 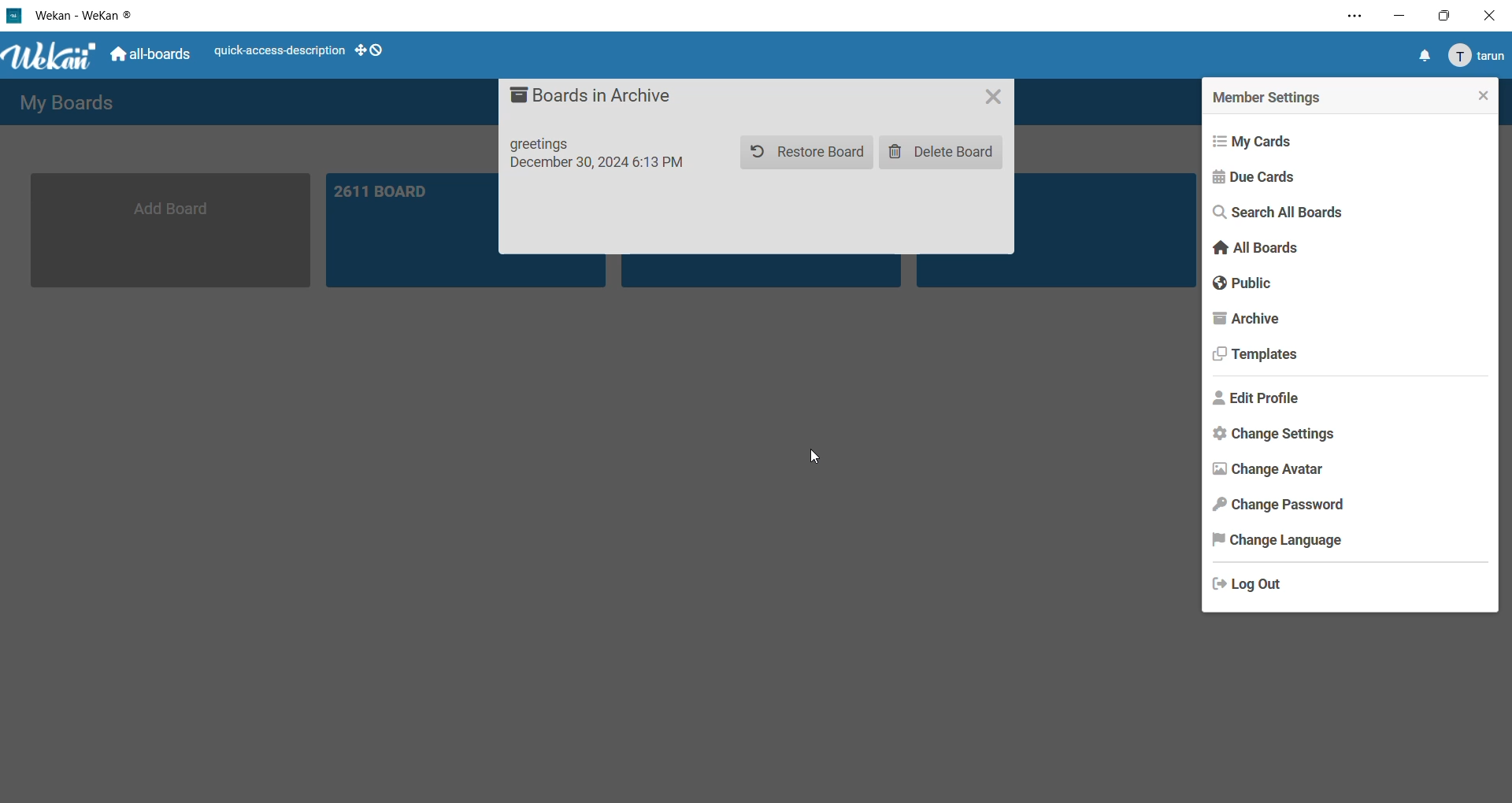 I want to click on settings, so click(x=1350, y=17).